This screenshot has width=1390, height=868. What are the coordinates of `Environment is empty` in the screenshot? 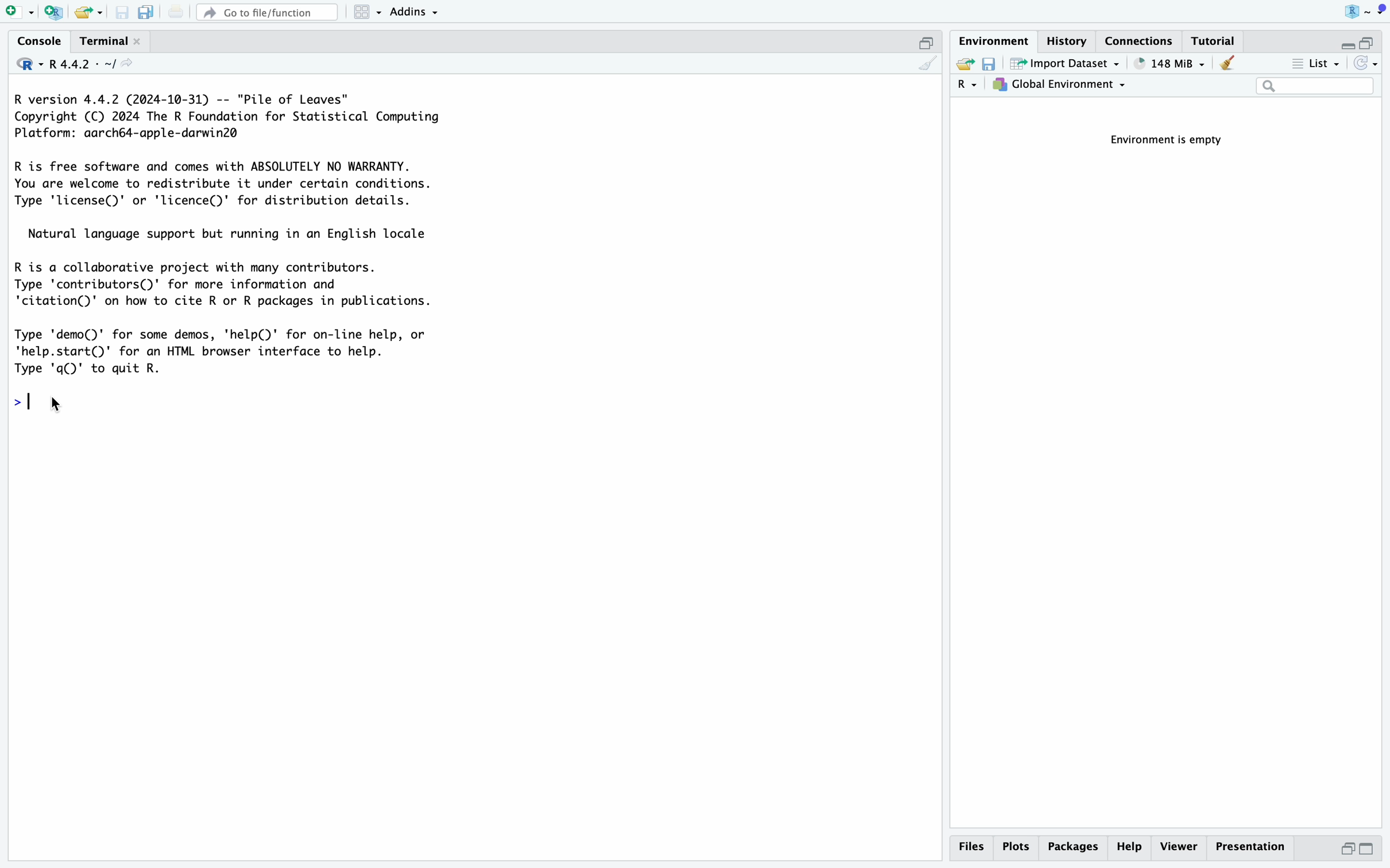 It's located at (1173, 141).